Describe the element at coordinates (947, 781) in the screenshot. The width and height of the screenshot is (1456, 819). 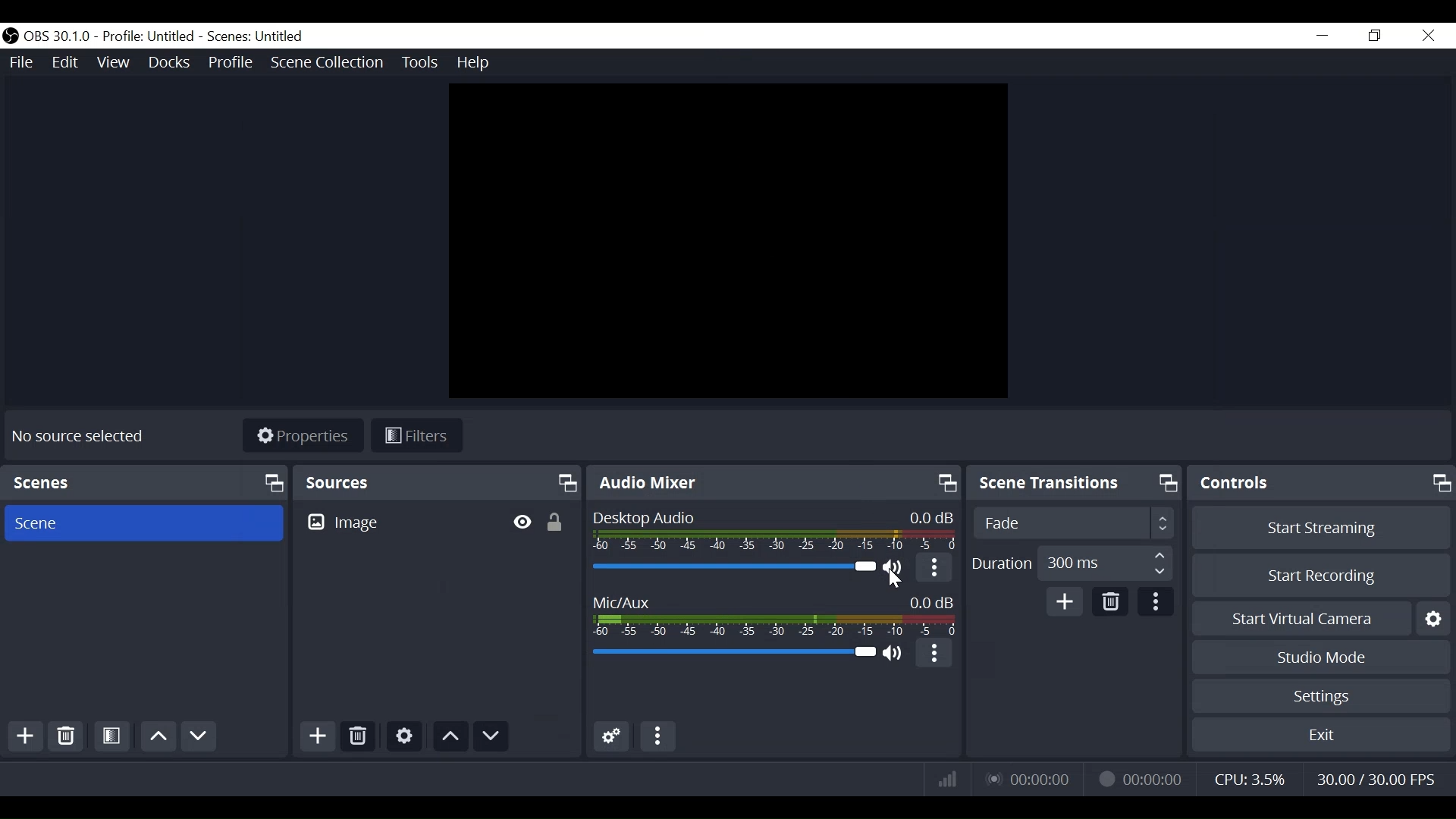
I see `Bitrate` at that location.